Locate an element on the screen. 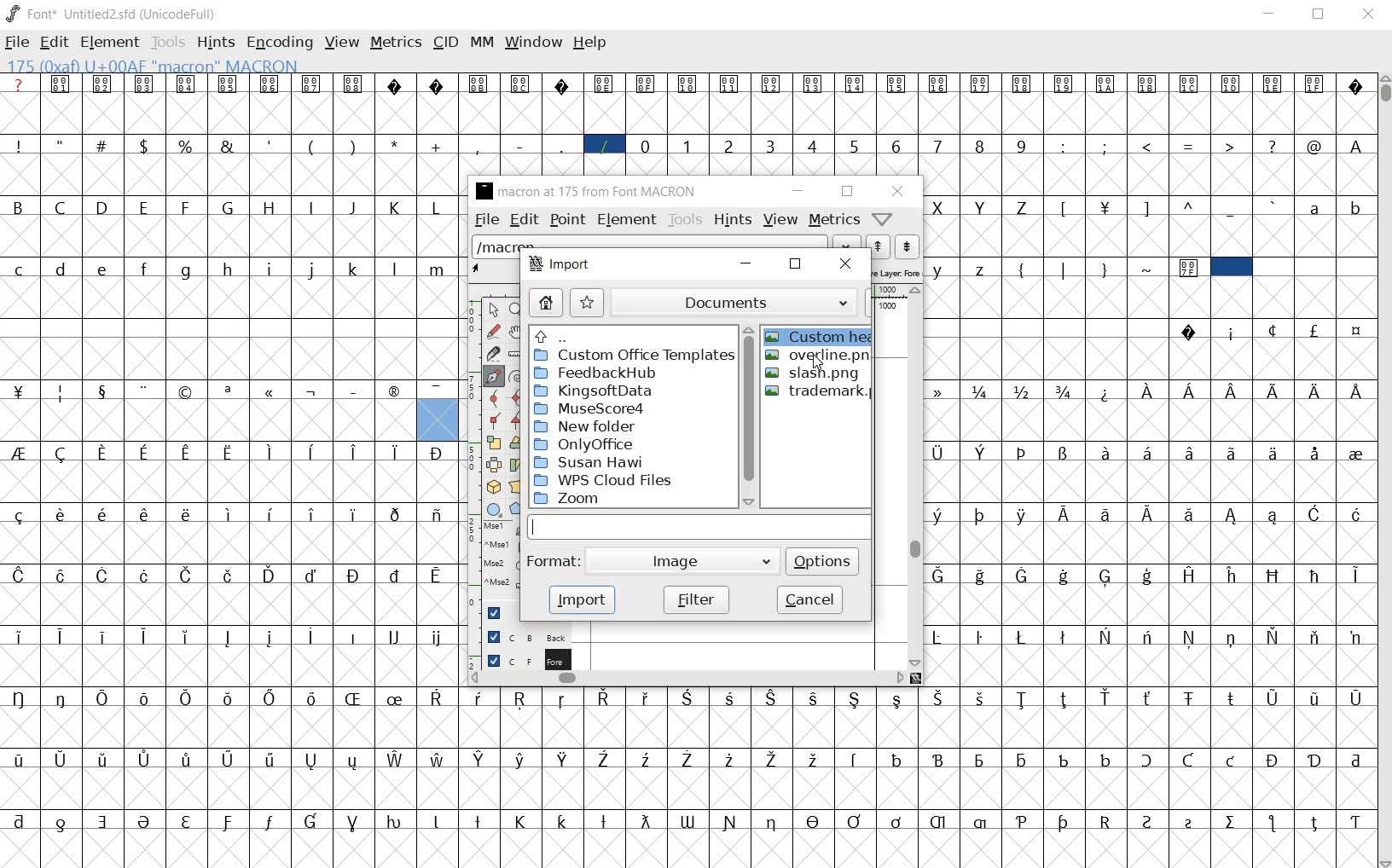 The image size is (1392, 868). Symbol is located at coordinates (566, 760).